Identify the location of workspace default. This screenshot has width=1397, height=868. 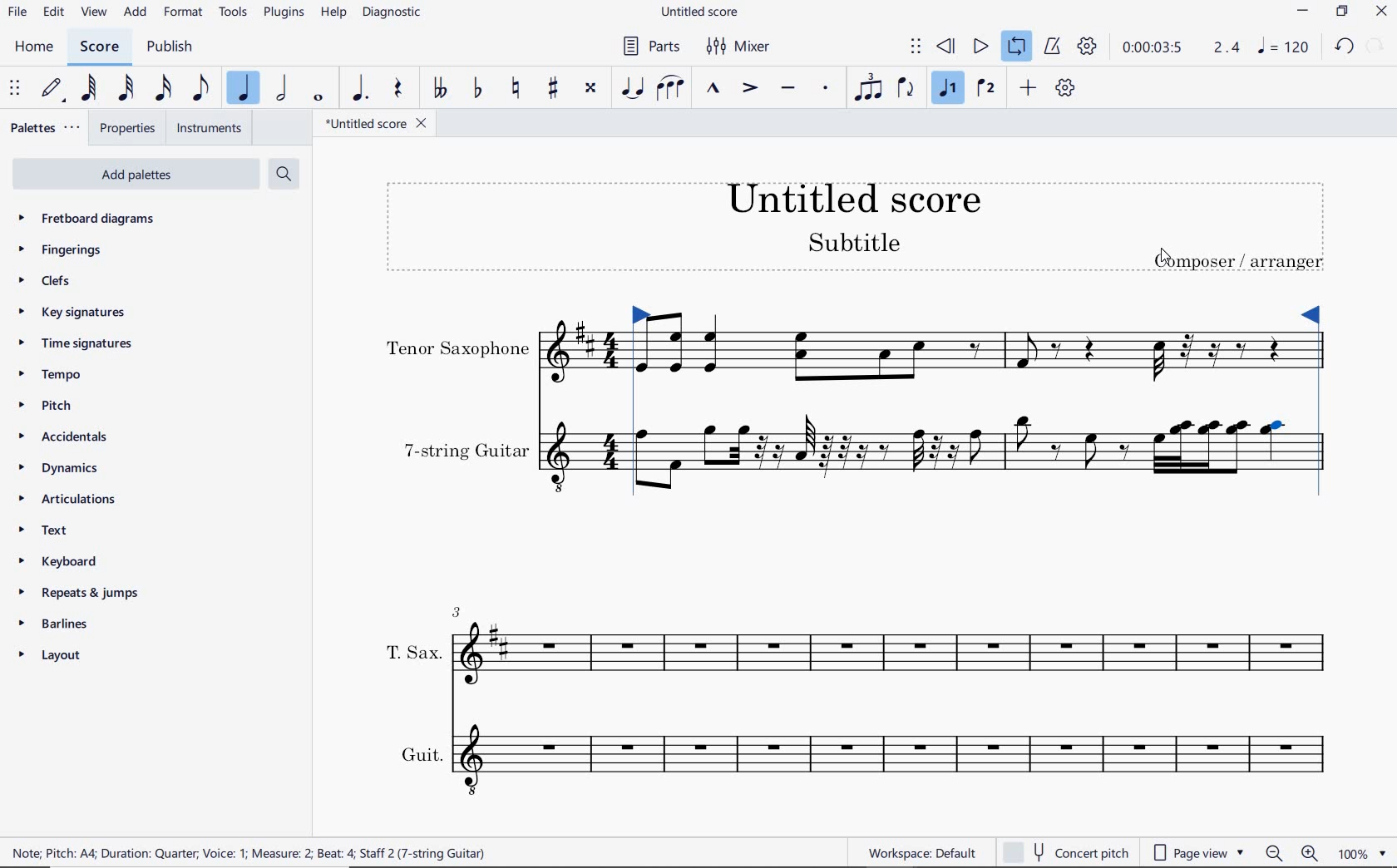
(920, 852).